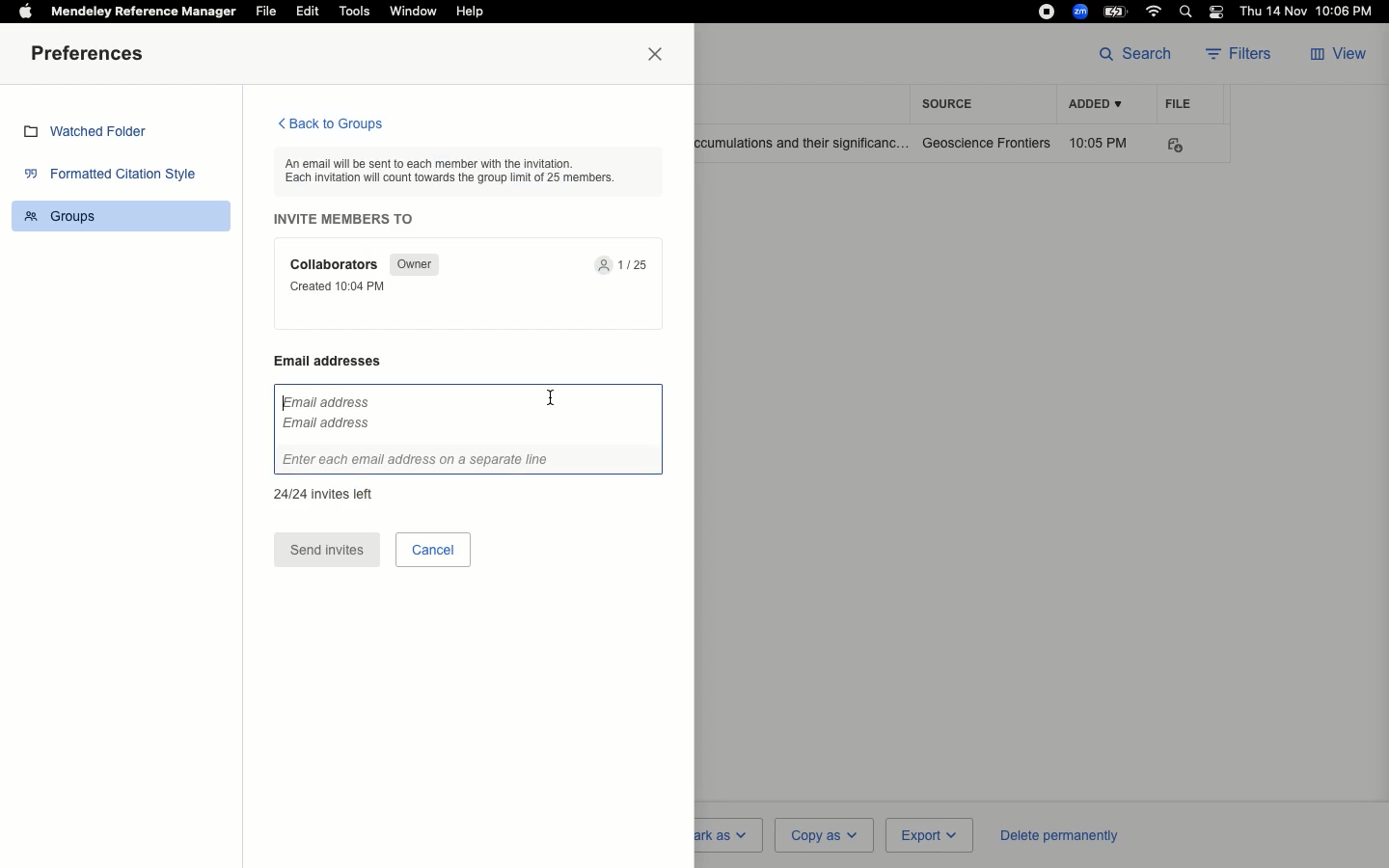 Image resolution: width=1389 pixels, height=868 pixels. Describe the element at coordinates (327, 551) in the screenshot. I see `Send invites` at that location.